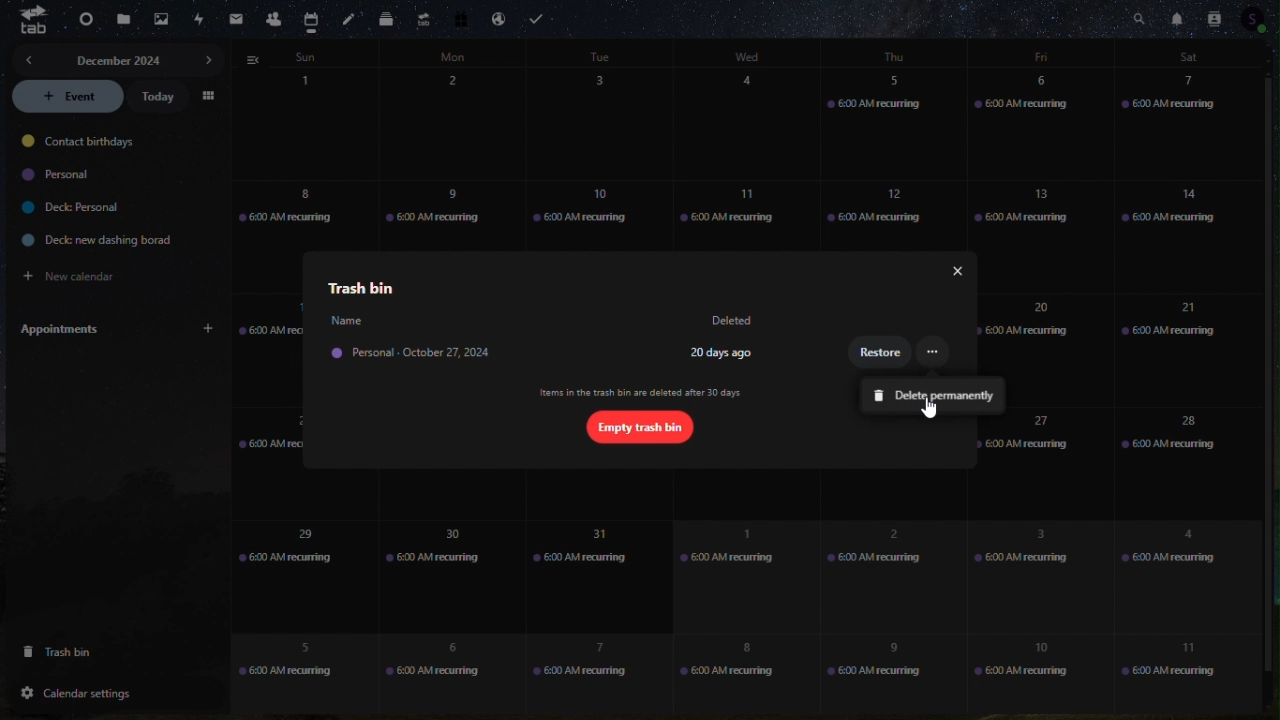 The height and width of the screenshot is (720, 1280). Describe the element at coordinates (1168, 662) in the screenshot. I see `11` at that location.